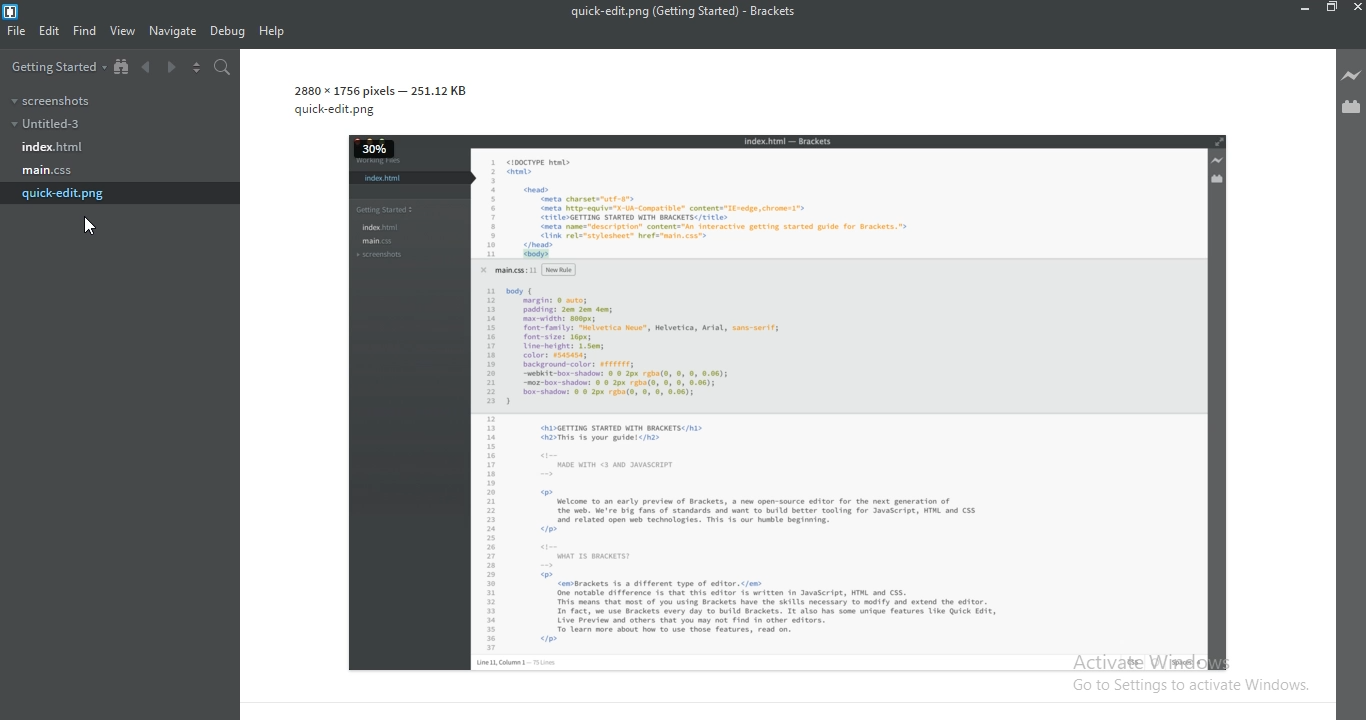 The width and height of the screenshot is (1366, 720). I want to click on extension manager, so click(1352, 109).